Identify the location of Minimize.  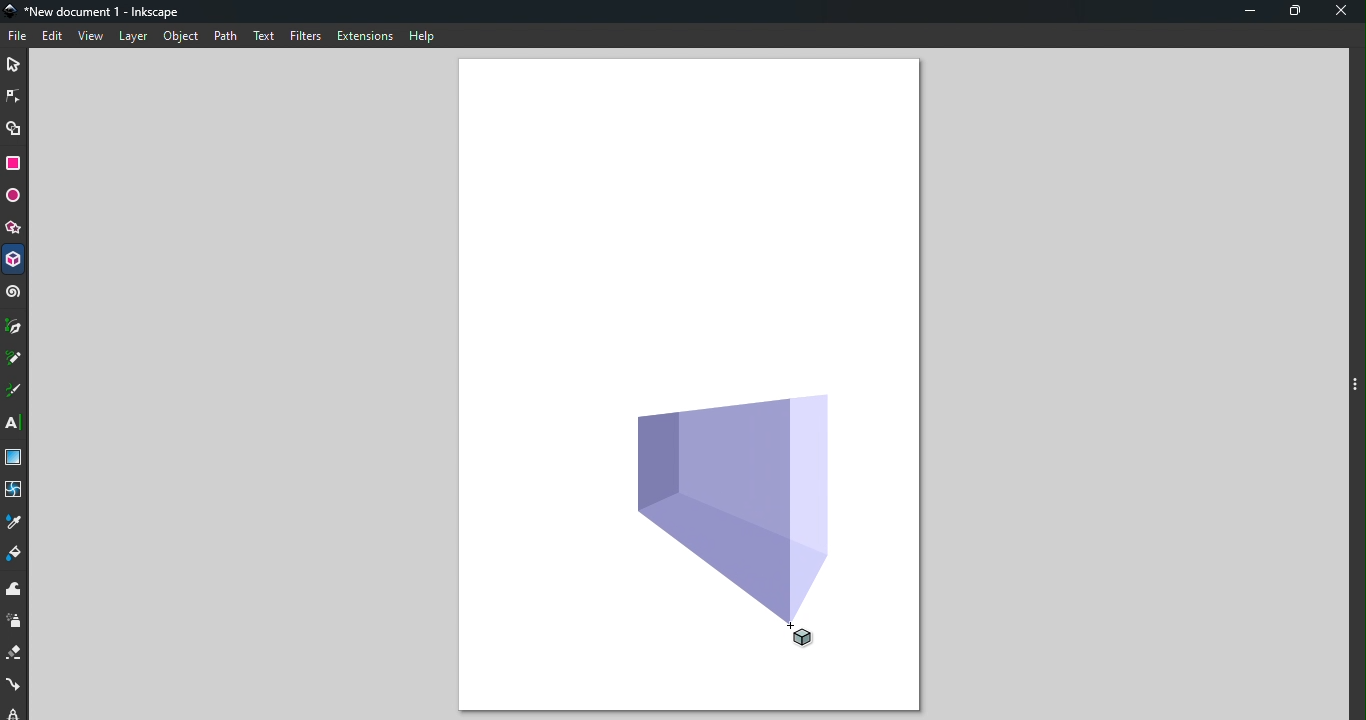
(1250, 12).